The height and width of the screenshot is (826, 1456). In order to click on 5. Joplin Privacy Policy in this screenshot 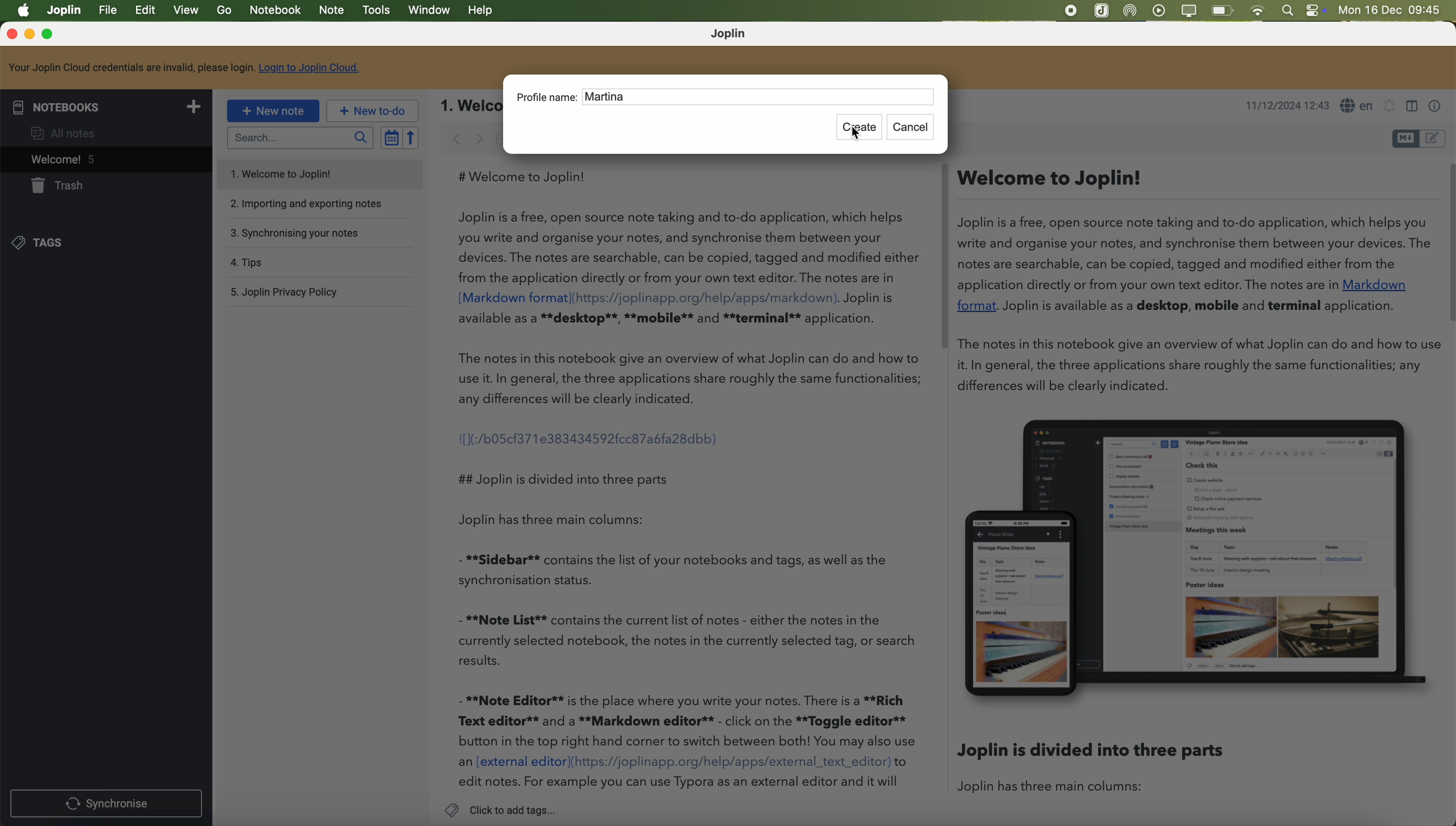, I will do `click(290, 293)`.